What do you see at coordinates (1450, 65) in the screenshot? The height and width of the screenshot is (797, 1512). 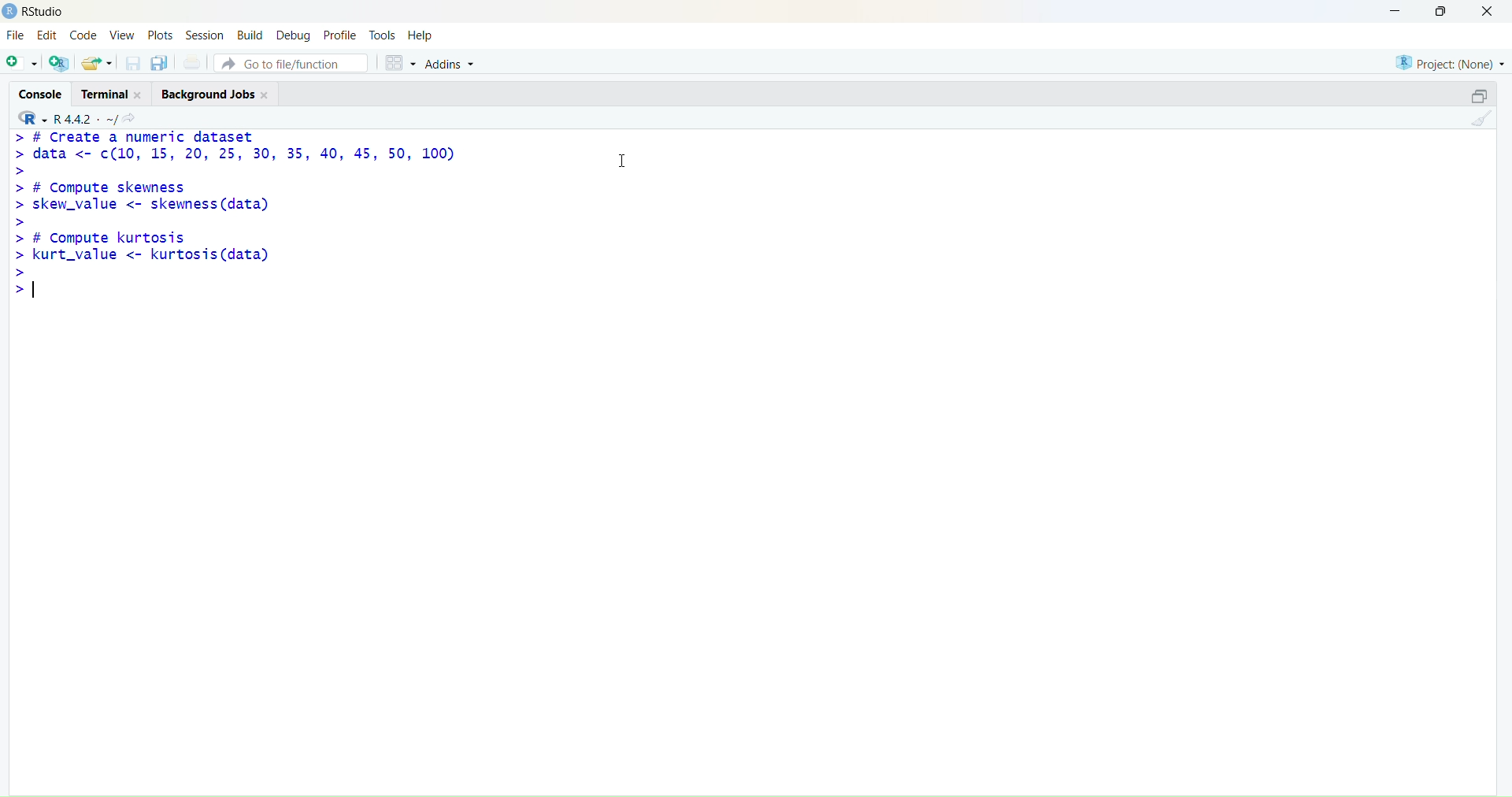 I see `Project (None)` at bounding box center [1450, 65].